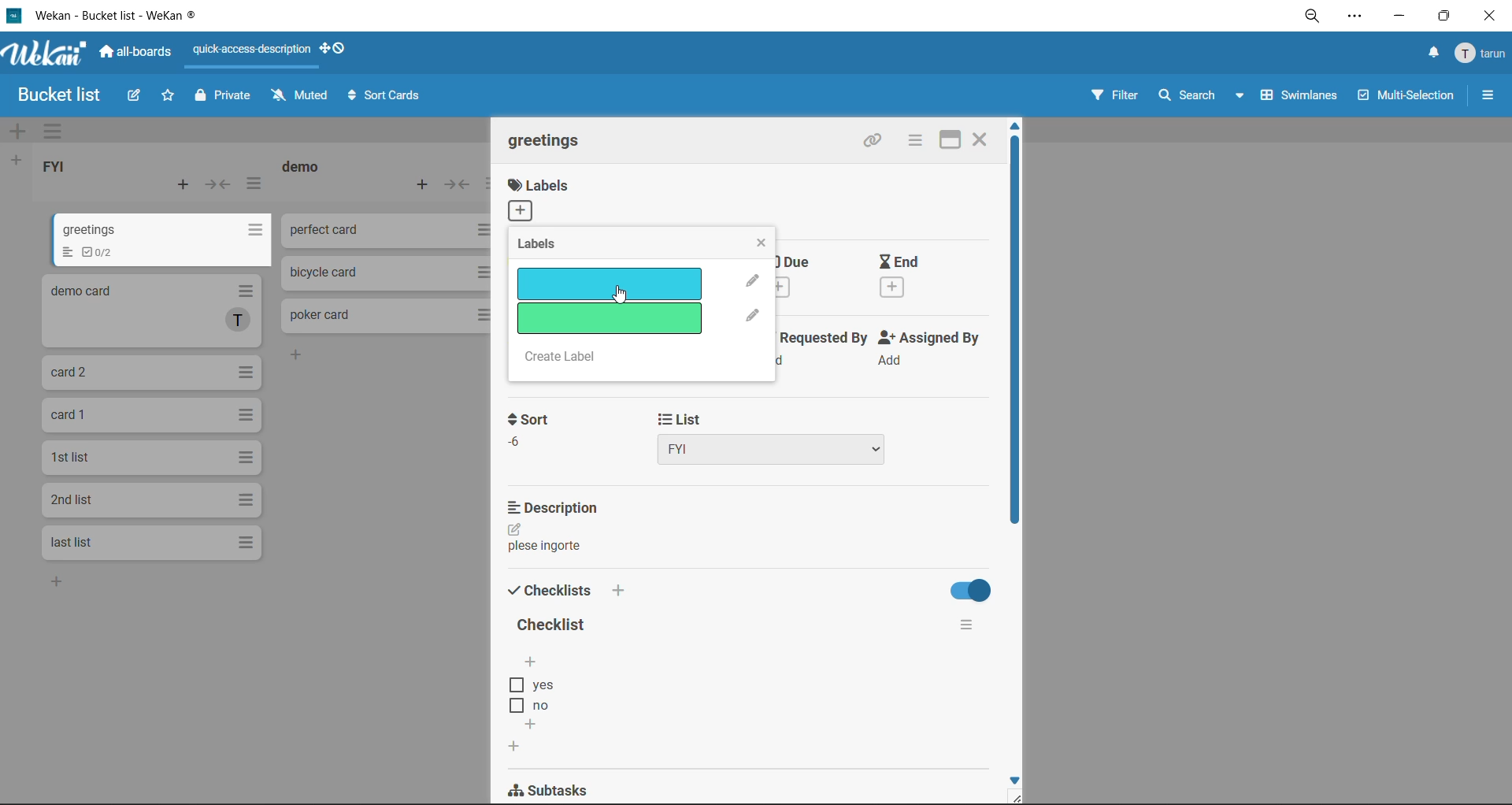 The height and width of the screenshot is (805, 1512). Describe the element at coordinates (1297, 98) in the screenshot. I see `swimlanes` at that location.